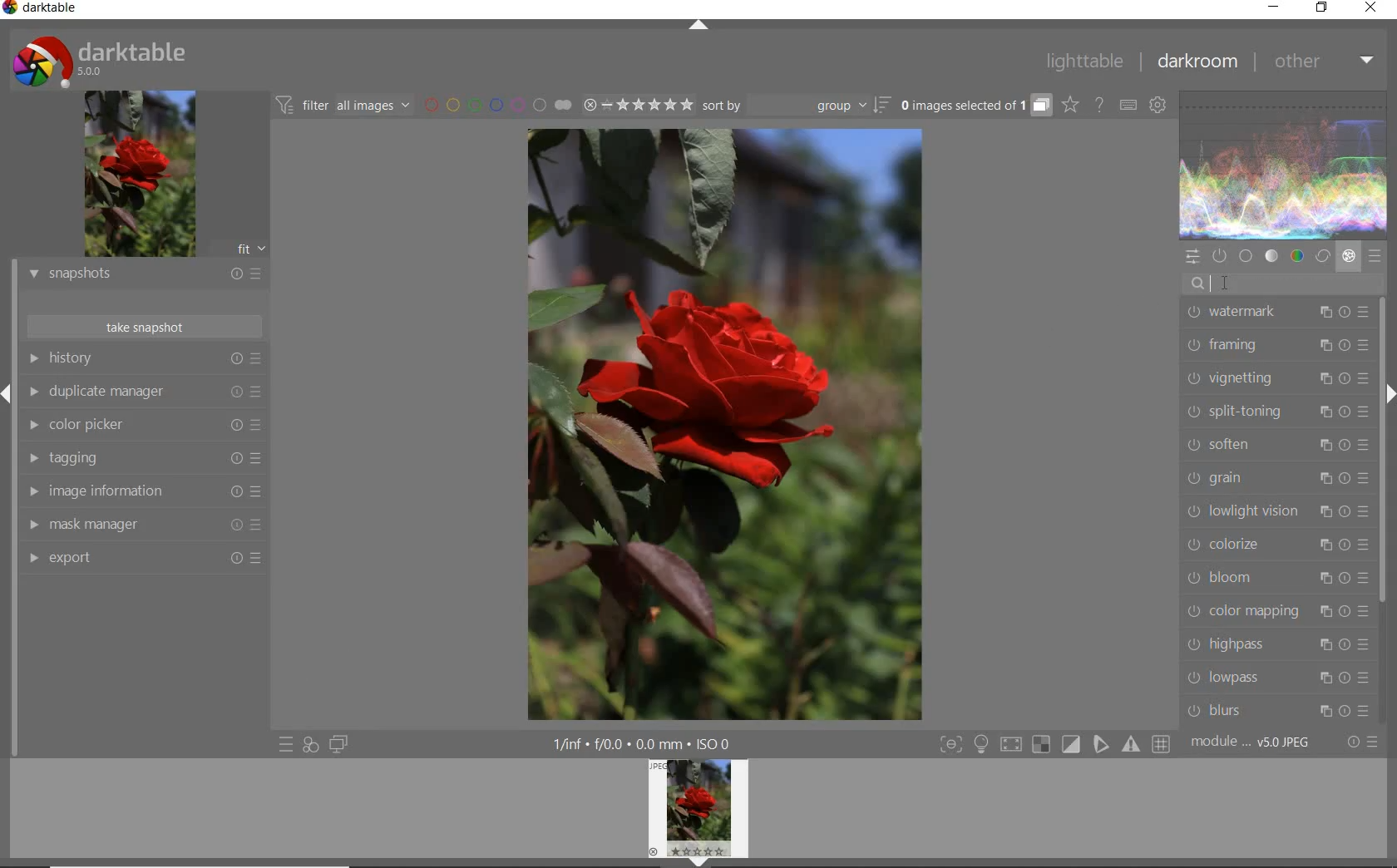  Describe the element at coordinates (1374, 254) in the screenshot. I see `presets` at that location.